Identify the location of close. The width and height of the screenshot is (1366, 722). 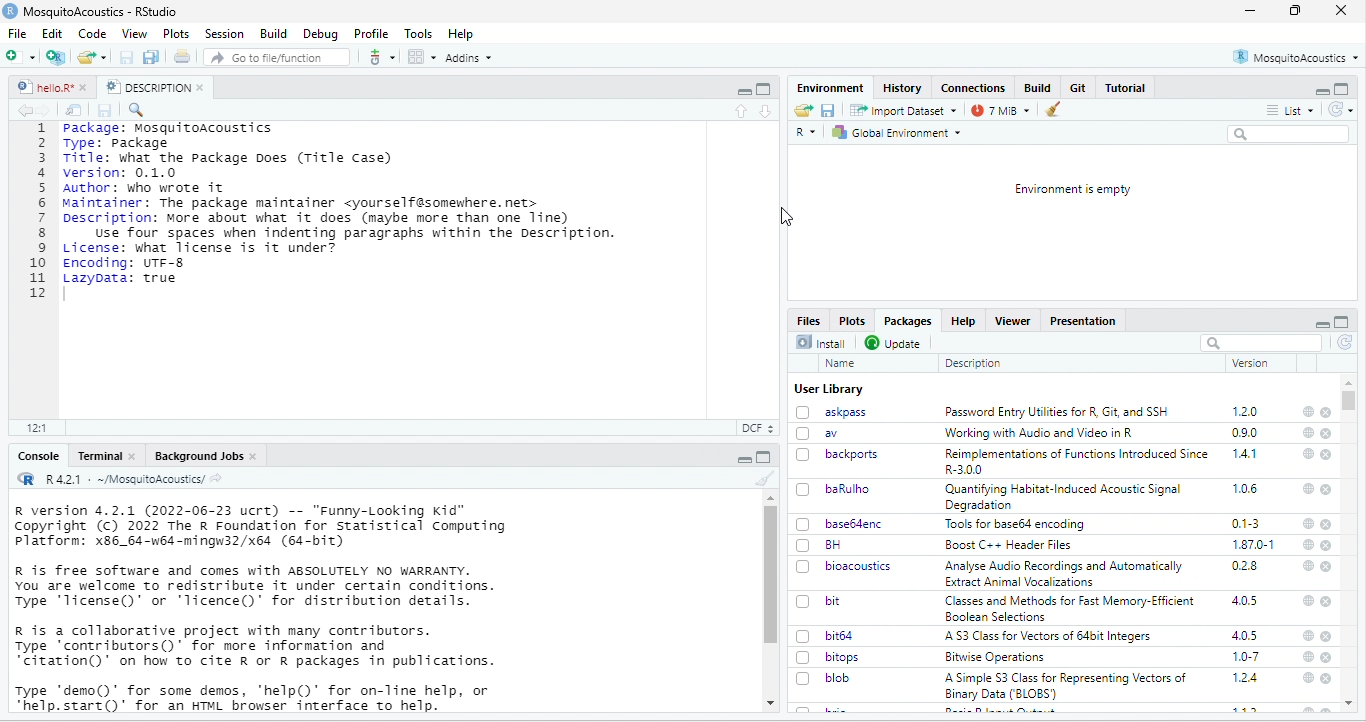
(1326, 601).